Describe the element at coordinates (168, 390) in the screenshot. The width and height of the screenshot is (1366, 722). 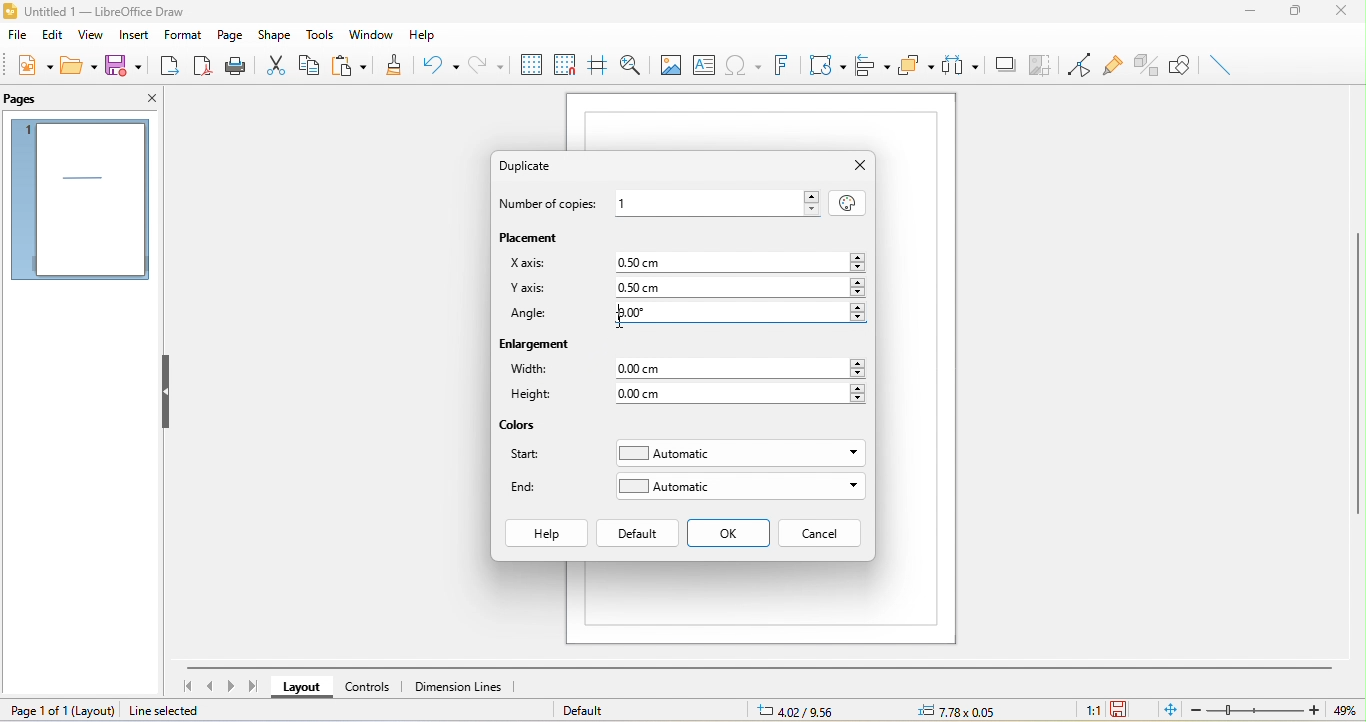
I see `hide` at that location.